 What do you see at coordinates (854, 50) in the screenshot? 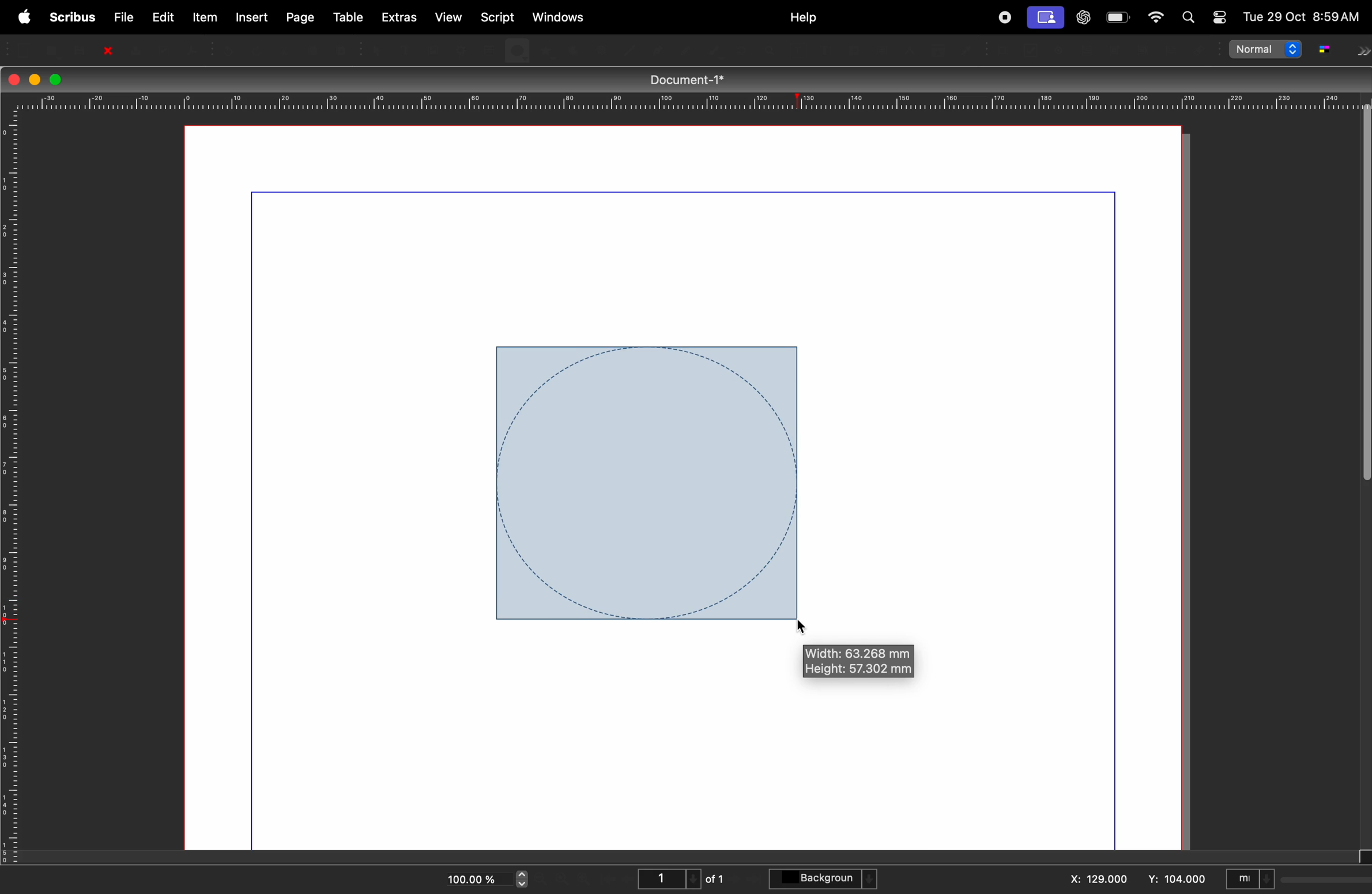
I see `Link text frames` at bounding box center [854, 50].